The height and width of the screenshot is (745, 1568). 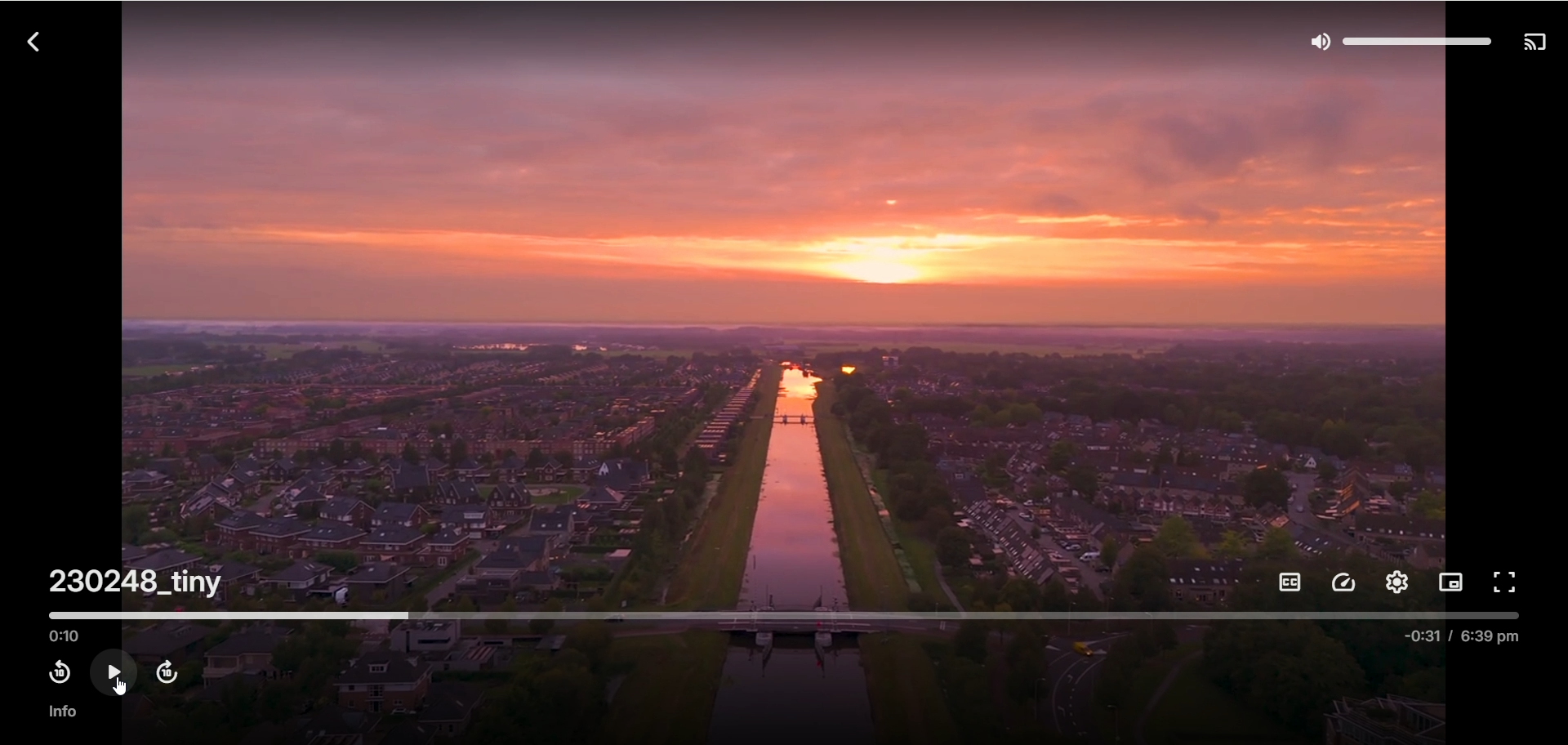 I want to click on subtitle, so click(x=1286, y=583).